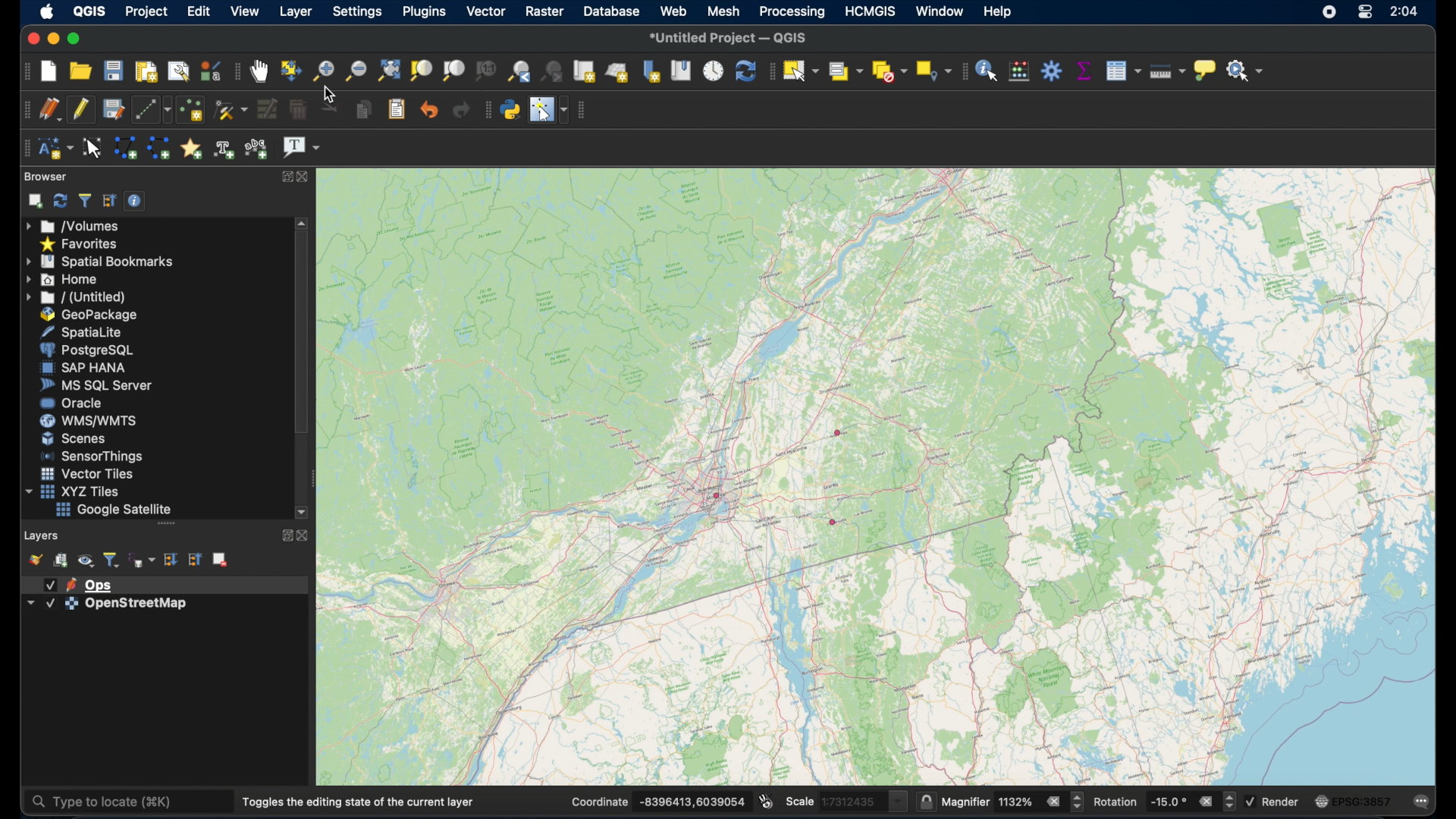 Image resolution: width=1456 pixels, height=819 pixels. I want to click on point feature, so click(833, 522).